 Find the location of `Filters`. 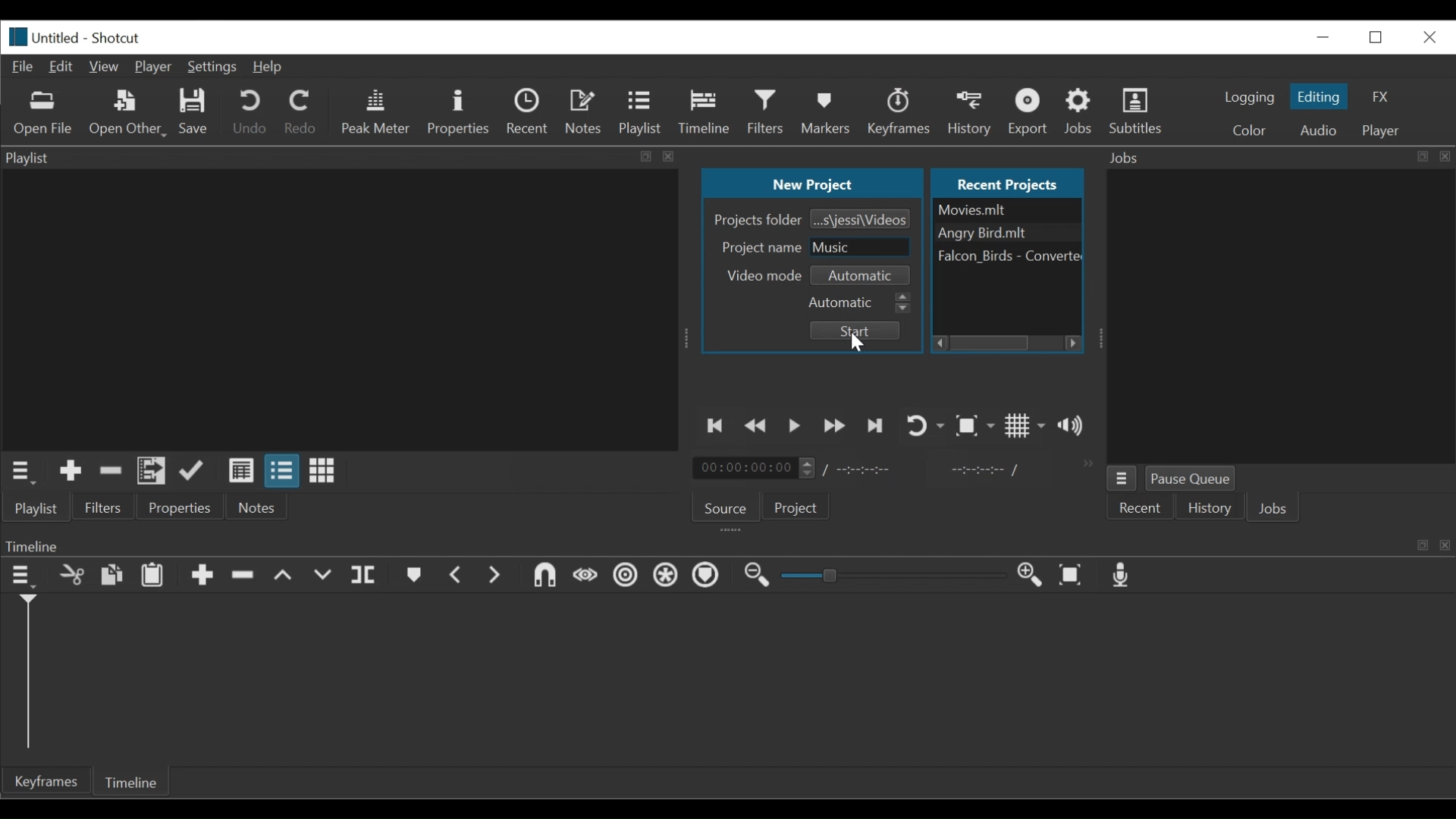

Filters is located at coordinates (767, 113).